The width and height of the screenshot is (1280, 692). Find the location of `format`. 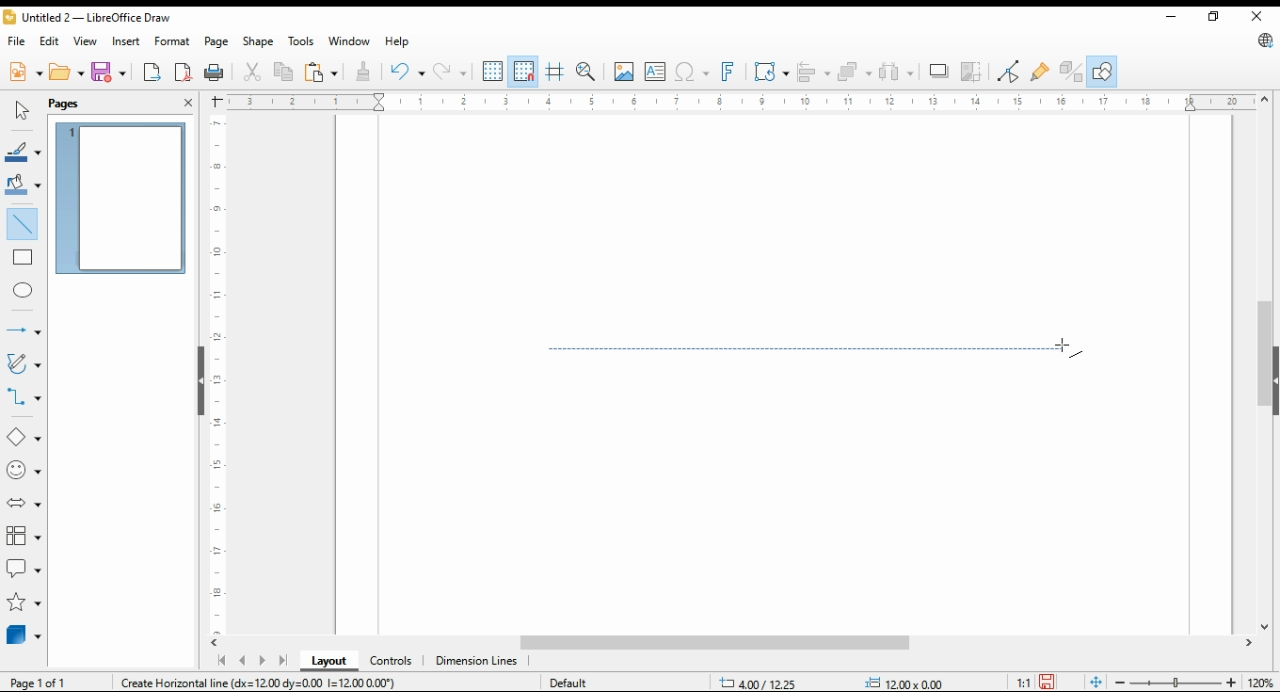

format is located at coordinates (174, 43).